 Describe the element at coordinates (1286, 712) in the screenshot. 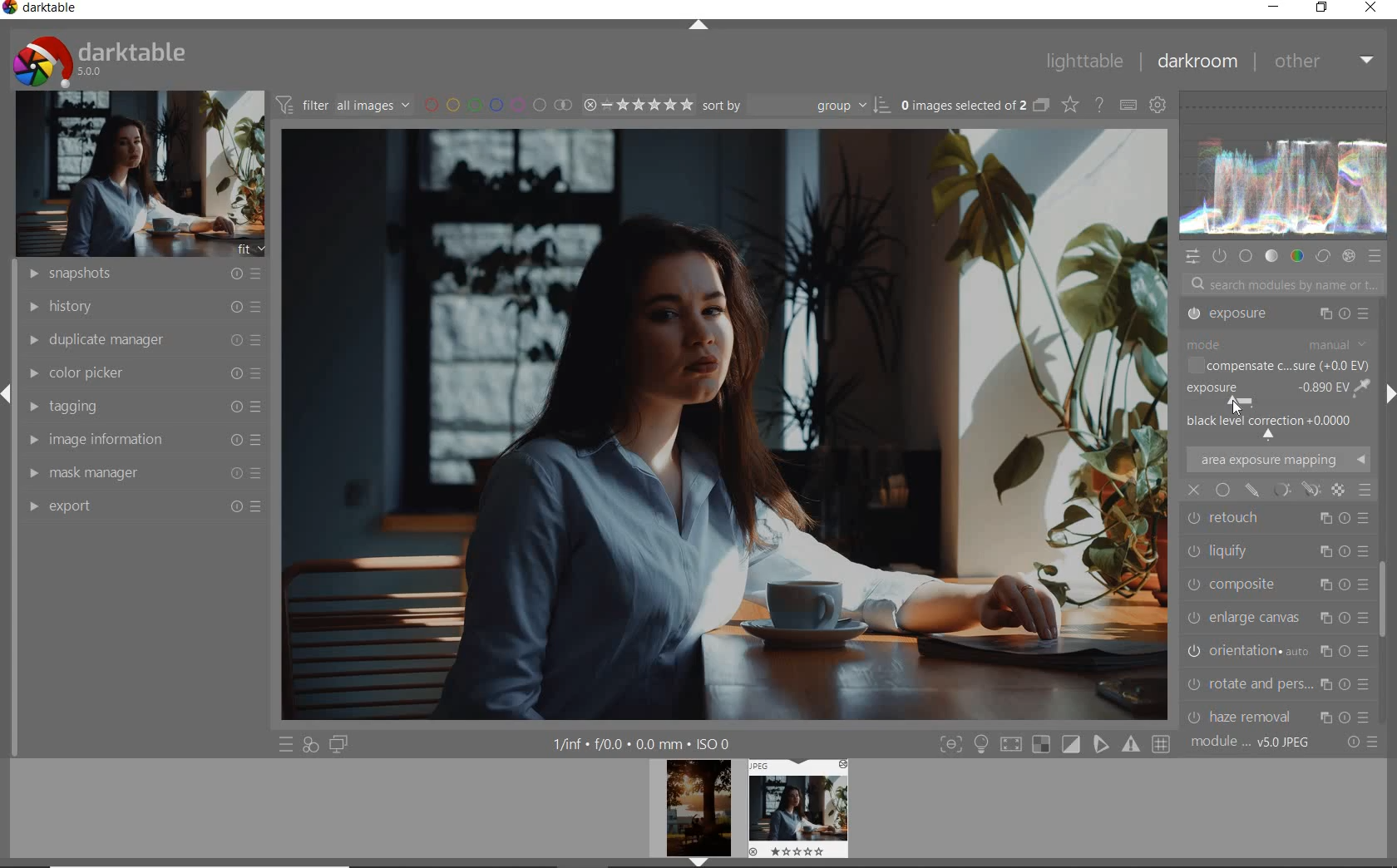

I see `SCALE PIXELS` at that location.